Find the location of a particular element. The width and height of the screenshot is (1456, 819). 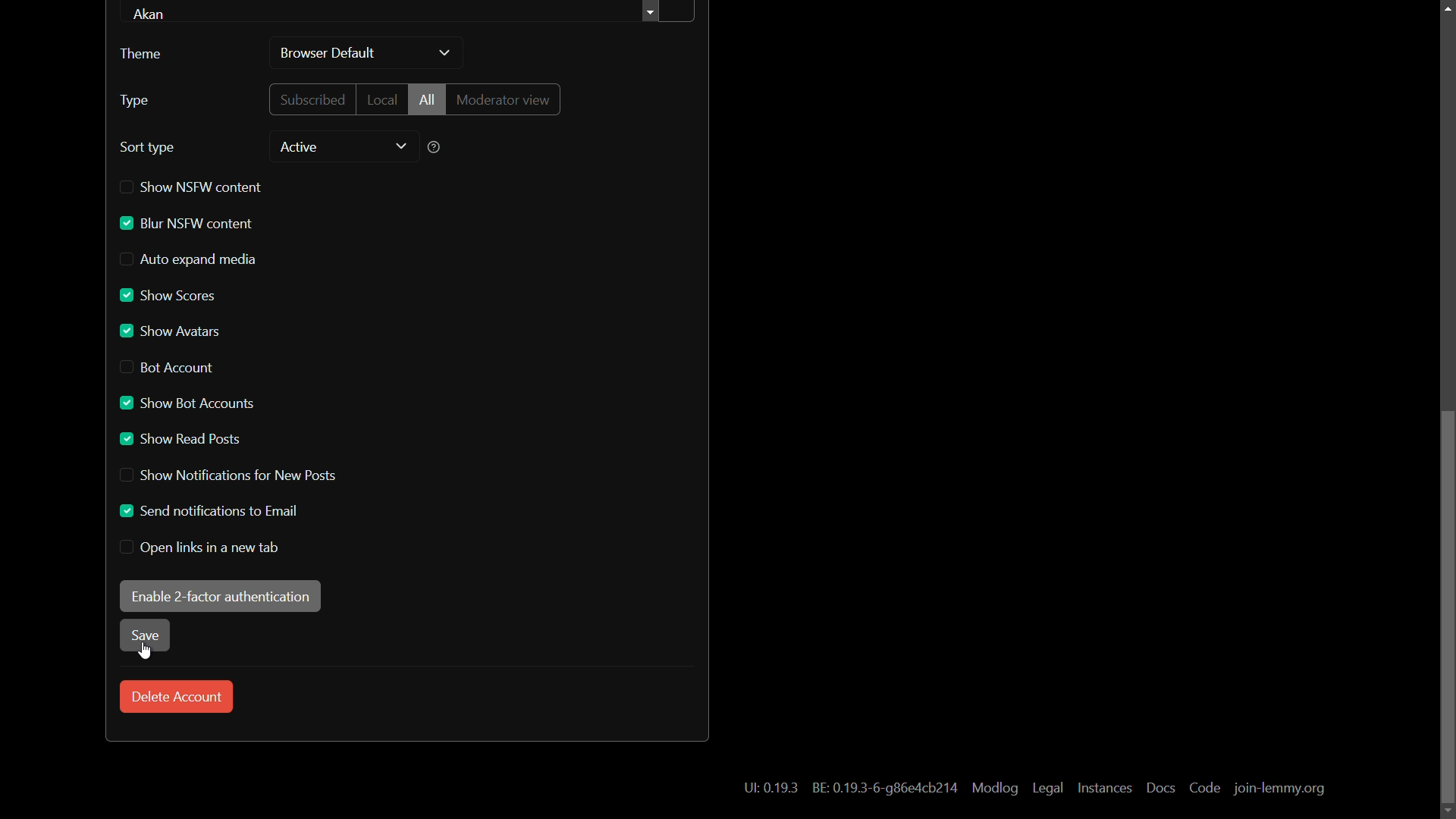

subscribed is located at coordinates (313, 99).